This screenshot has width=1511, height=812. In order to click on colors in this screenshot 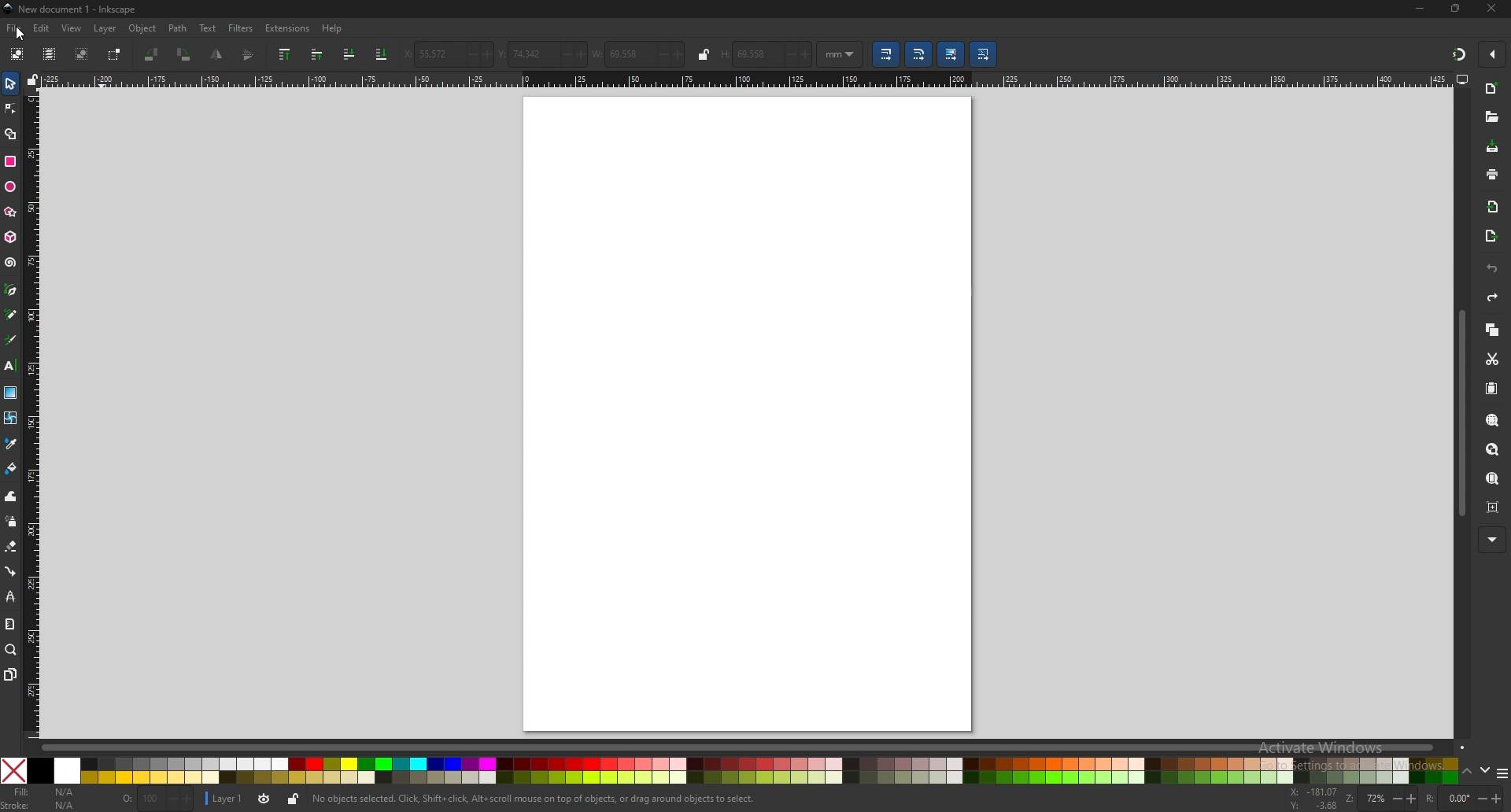, I will do `click(744, 771)`.